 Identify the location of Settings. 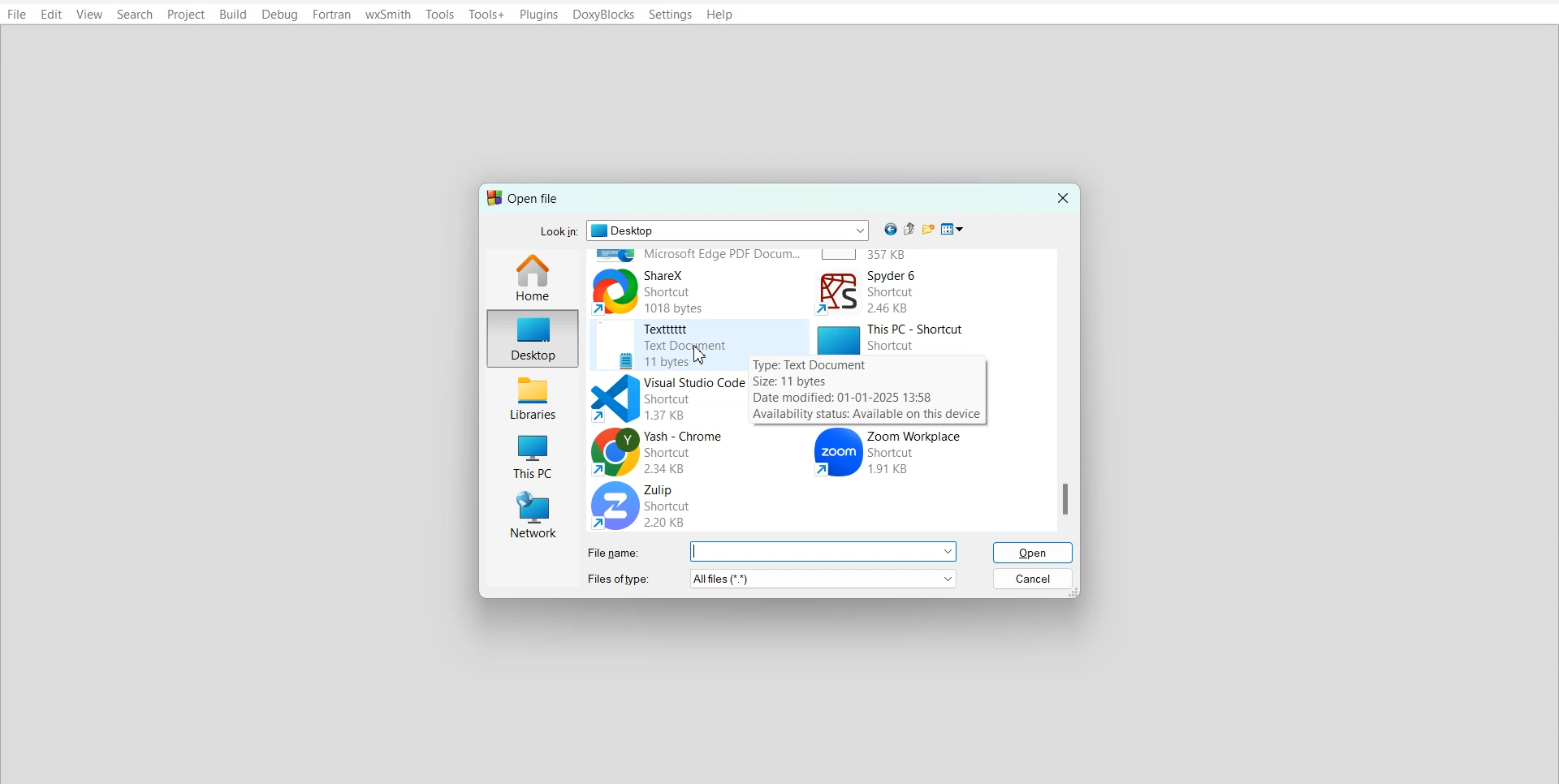
(671, 15).